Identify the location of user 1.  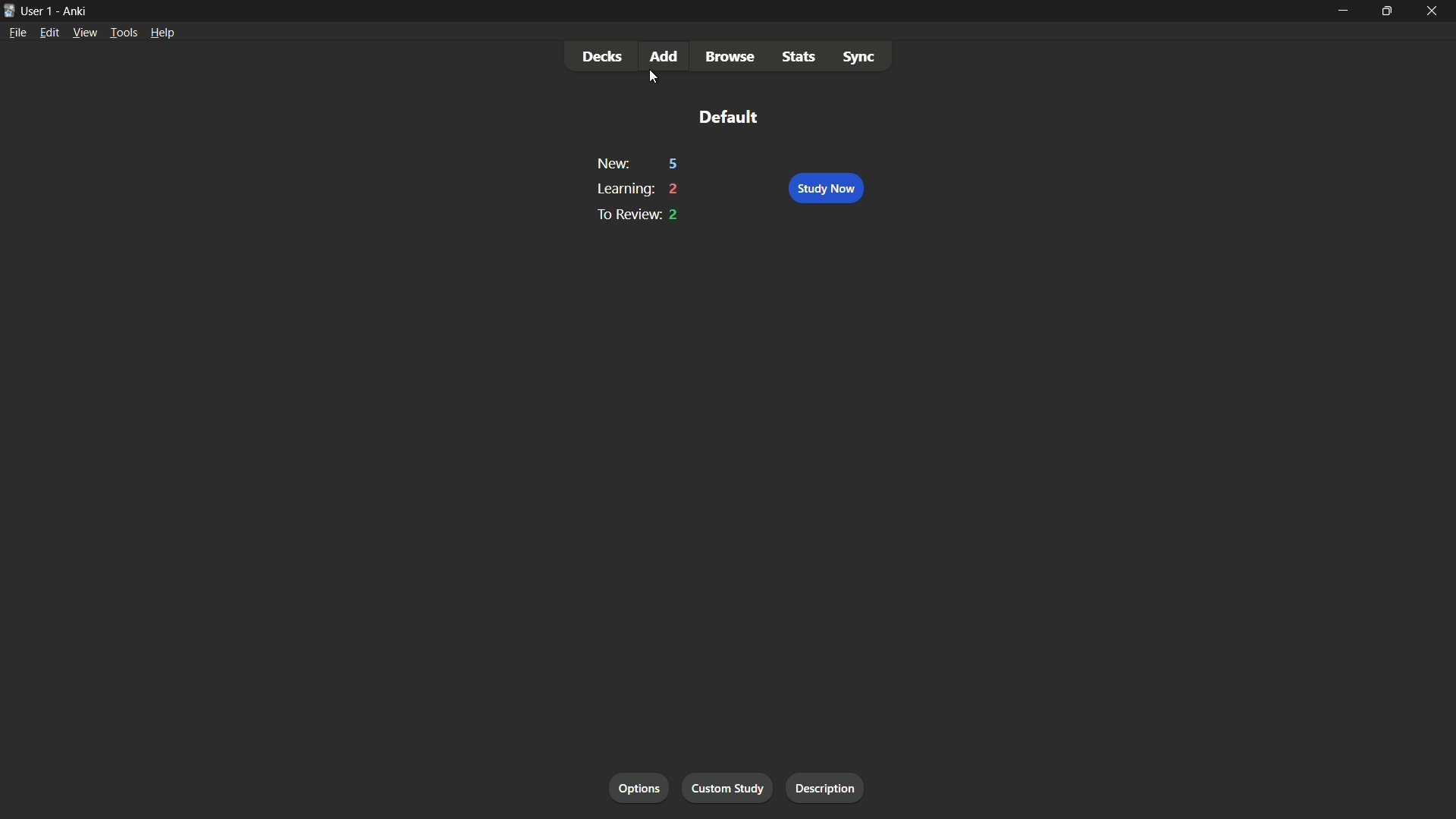
(38, 10).